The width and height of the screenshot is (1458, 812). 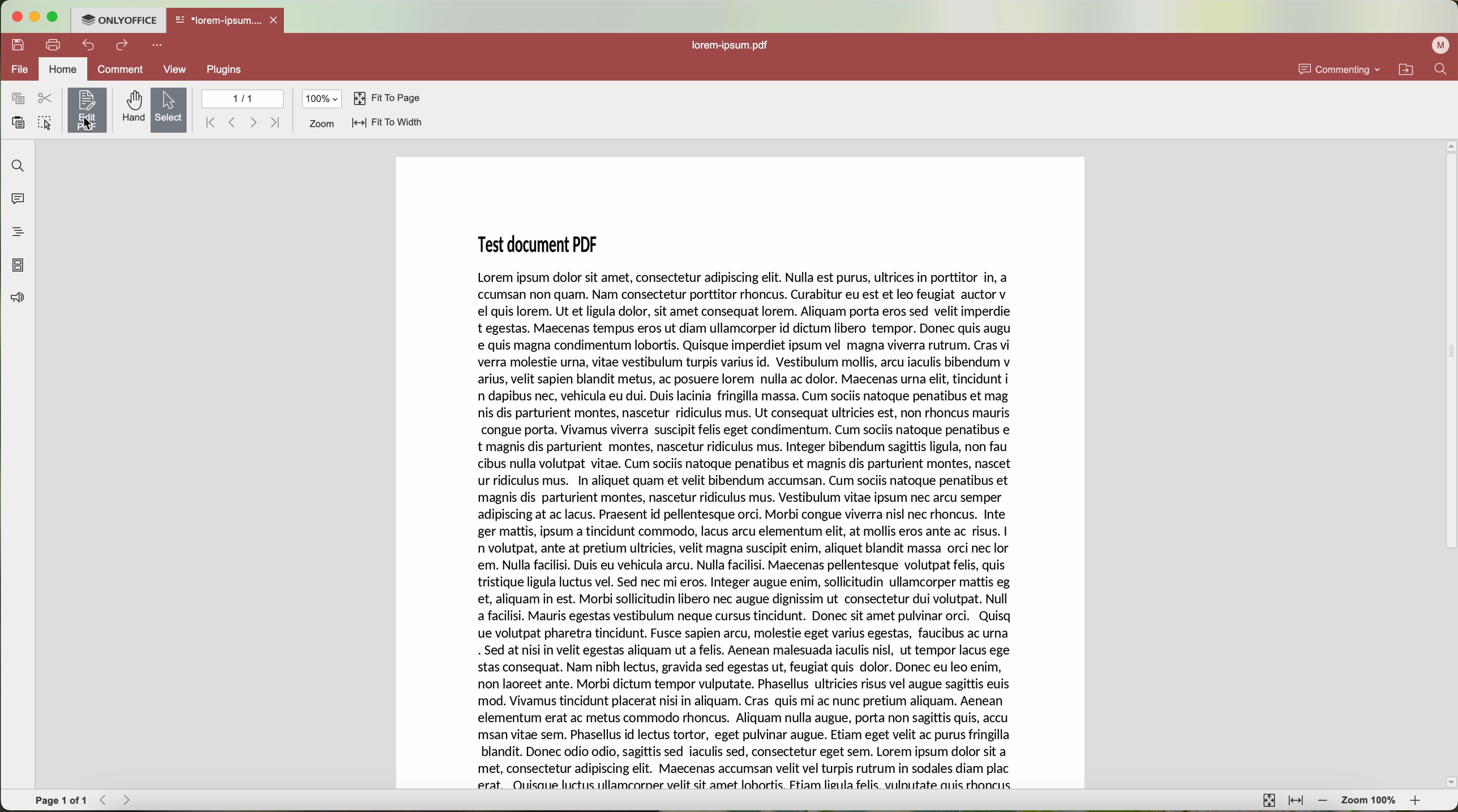 I want to click on feedback & support, so click(x=20, y=299).